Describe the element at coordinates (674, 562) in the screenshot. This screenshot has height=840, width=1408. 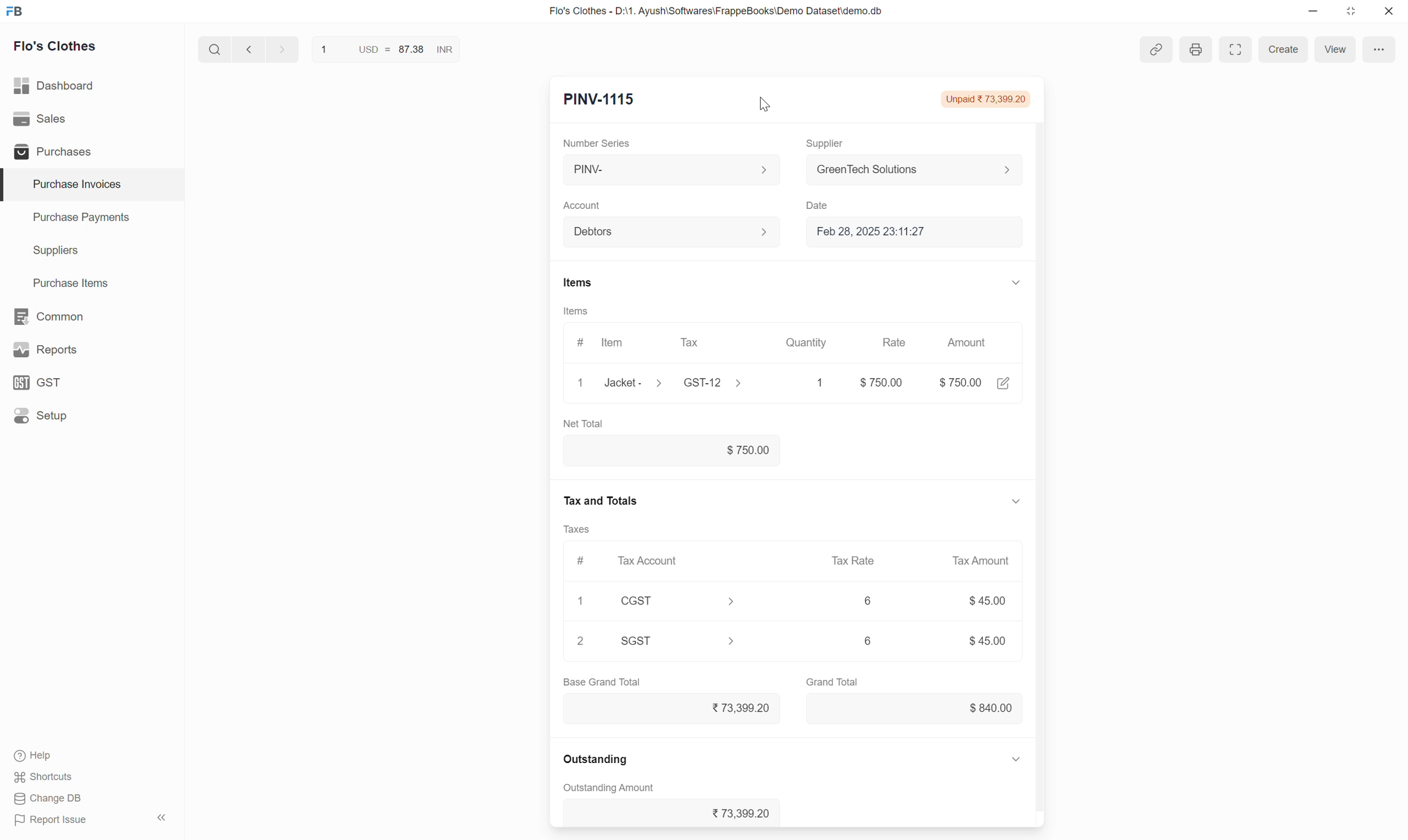
I see `Tax Account` at that location.